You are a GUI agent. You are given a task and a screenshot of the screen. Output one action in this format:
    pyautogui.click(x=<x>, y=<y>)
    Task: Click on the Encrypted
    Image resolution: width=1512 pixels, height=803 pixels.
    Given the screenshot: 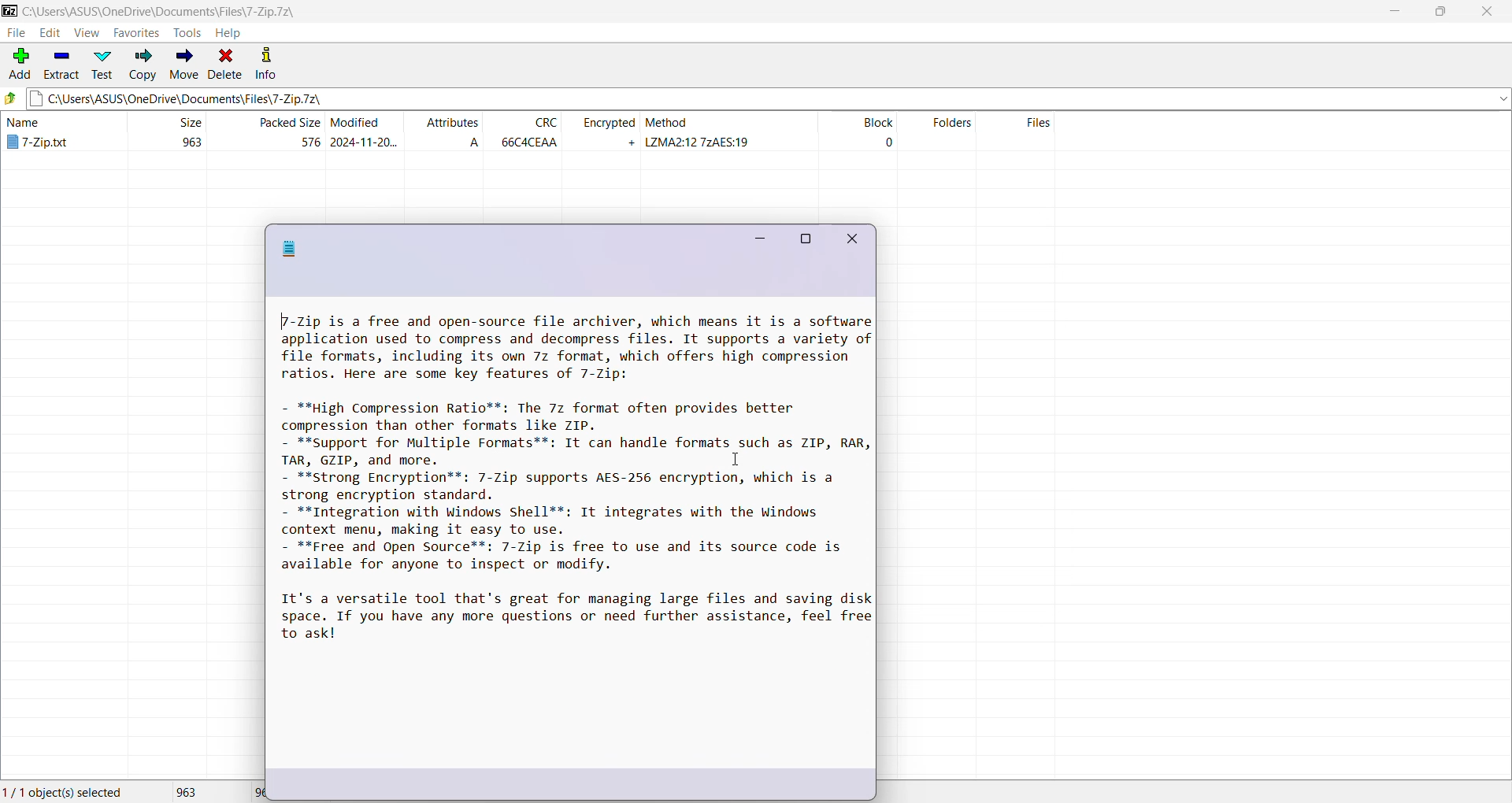 What is the action you would take?
    pyautogui.click(x=606, y=131)
    